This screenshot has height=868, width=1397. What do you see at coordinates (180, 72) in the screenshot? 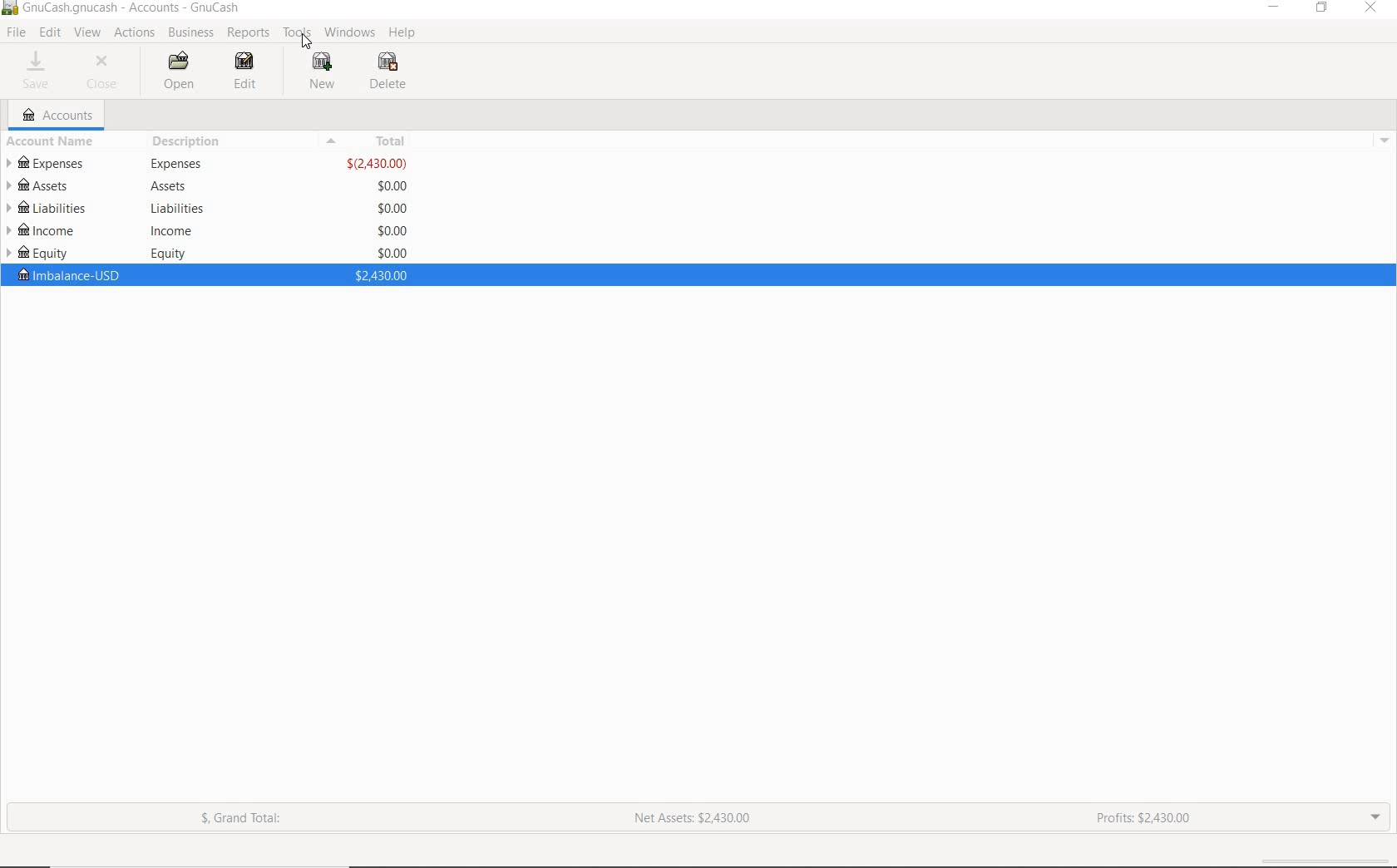
I see `OPEN` at bounding box center [180, 72].